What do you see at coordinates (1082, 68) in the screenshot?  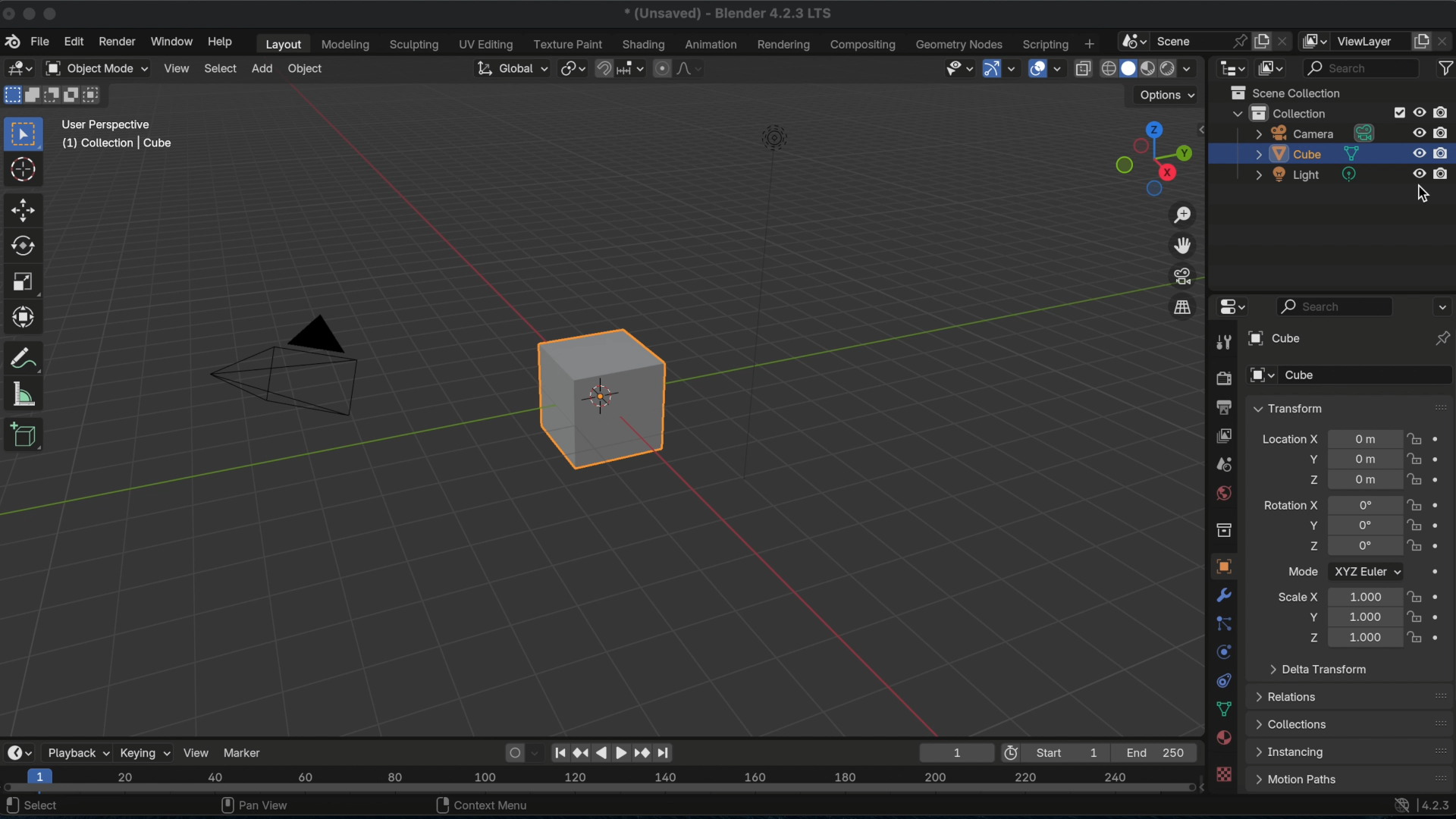 I see `toggle x ray` at bounding box center [1082, 68].